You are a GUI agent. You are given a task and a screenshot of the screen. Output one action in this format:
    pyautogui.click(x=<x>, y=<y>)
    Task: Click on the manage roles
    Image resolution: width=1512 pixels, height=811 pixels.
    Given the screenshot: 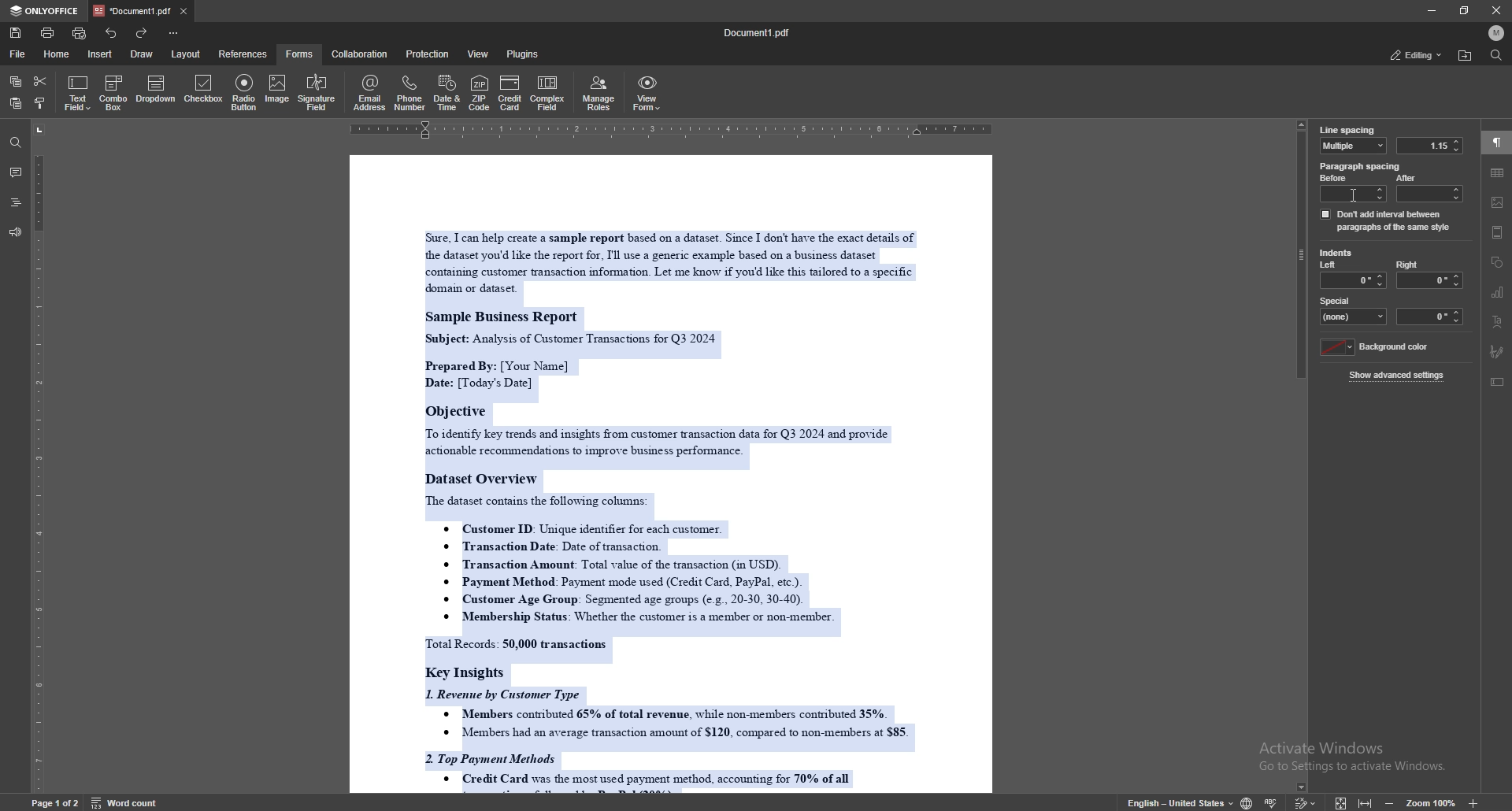 What is the action you would take?
    pyautogui.click(x=601, y=92)
    